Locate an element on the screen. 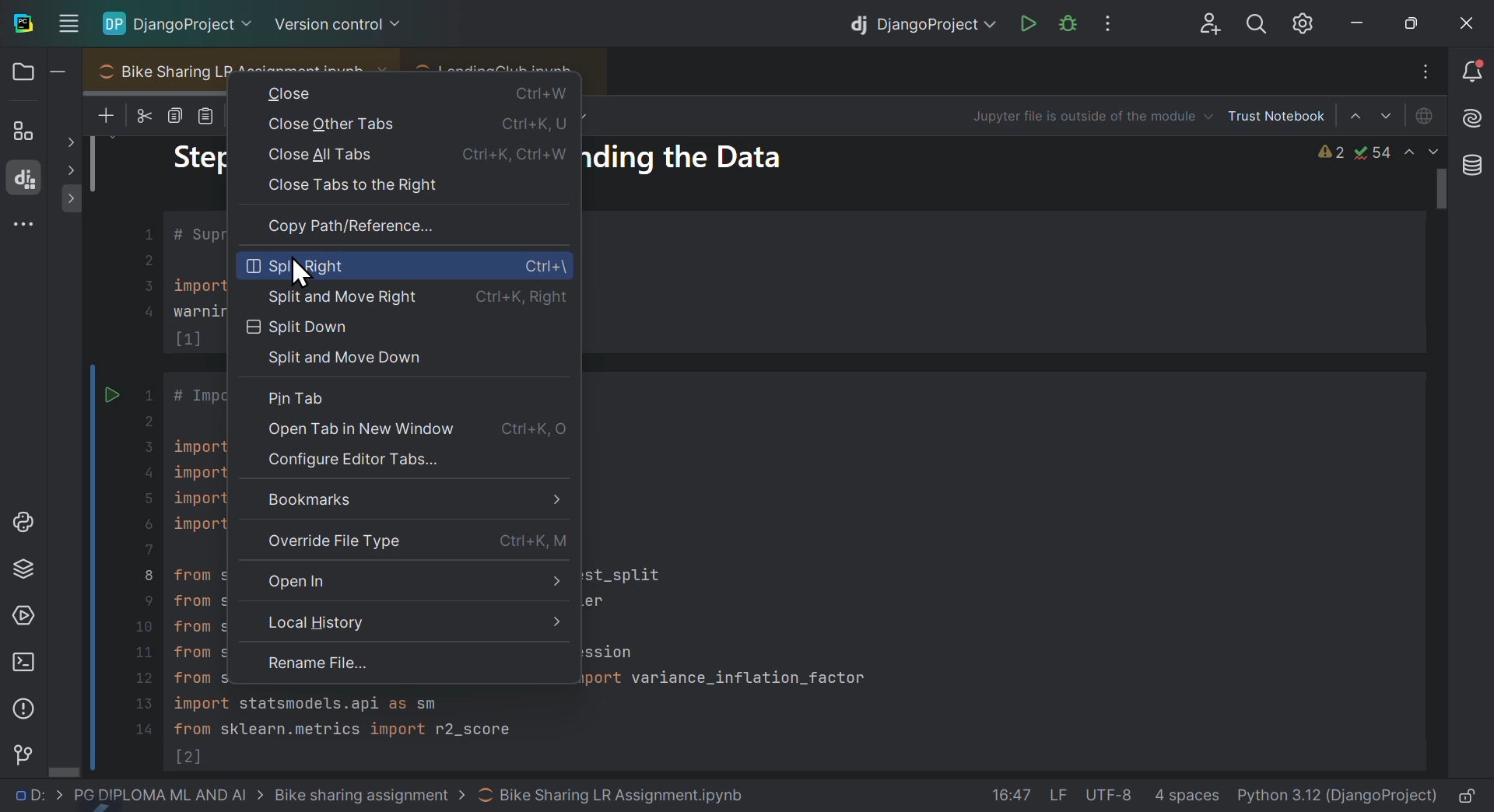 This screenshot has height=812, width=1494. Close is located at coordinates (405, 98).